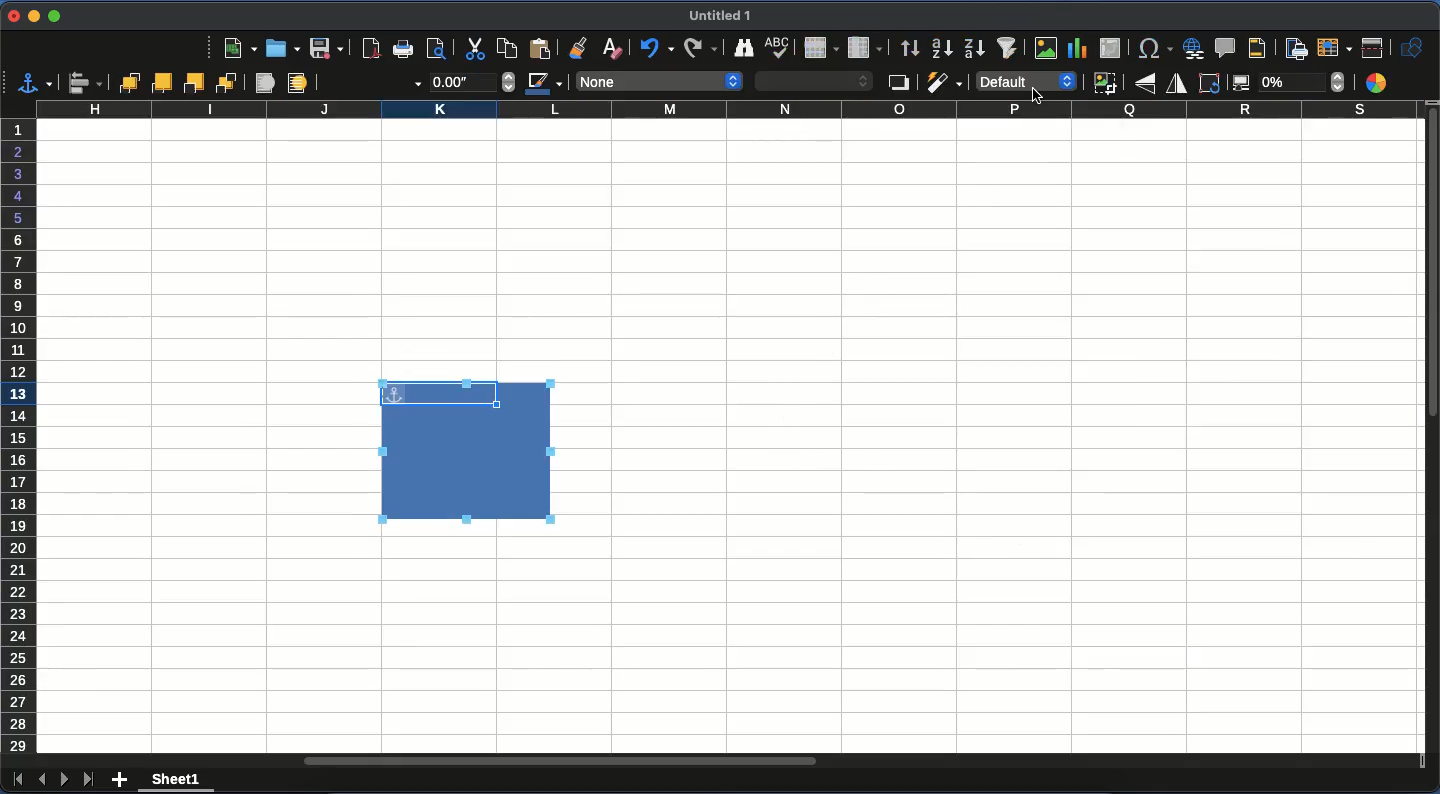  What do you see at coordinates (1210, 85) in the screenshot?
I see `rotate` at bounding box center [1210, 85].